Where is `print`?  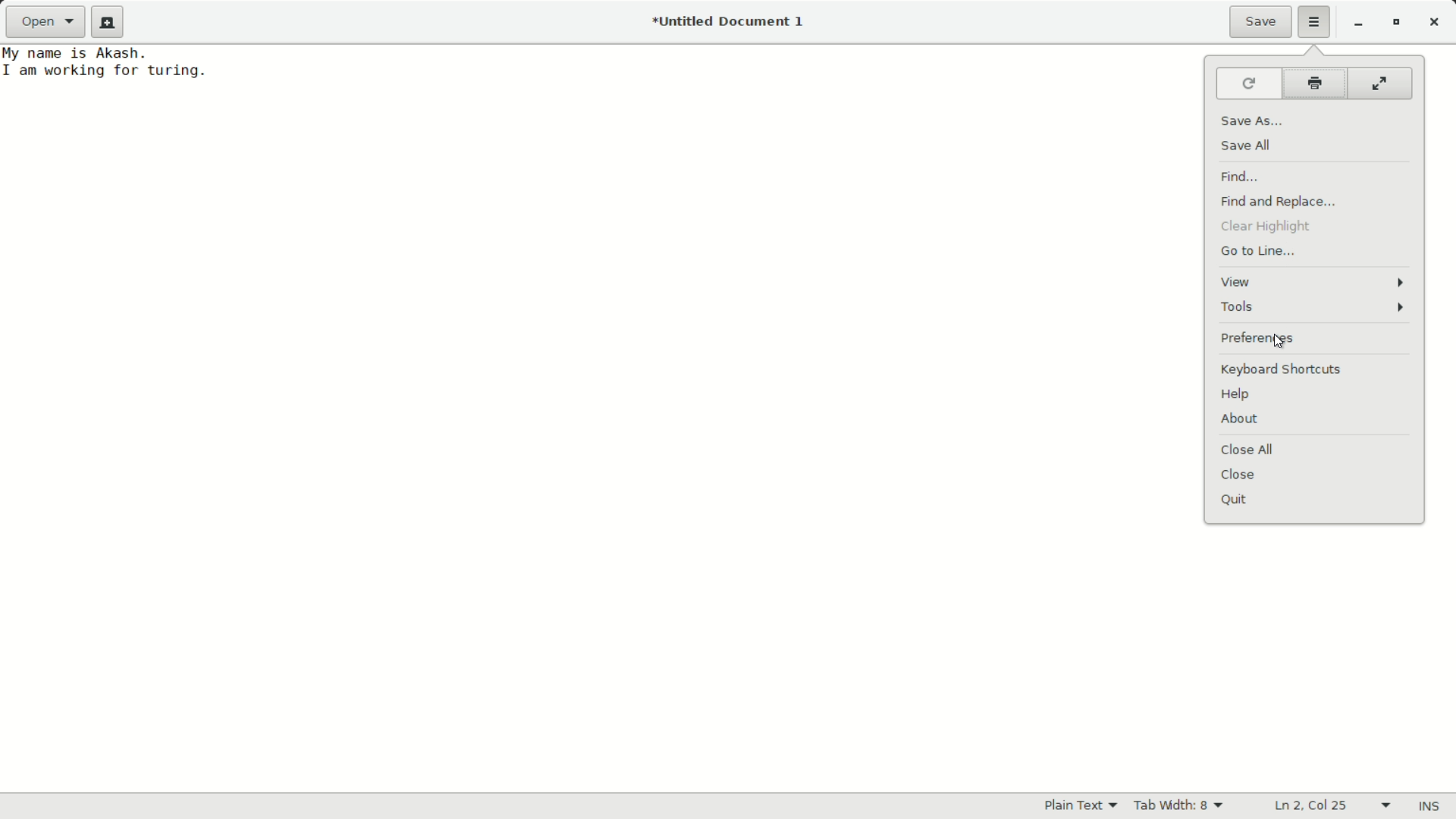 print is located at coordinates (1316, 83).